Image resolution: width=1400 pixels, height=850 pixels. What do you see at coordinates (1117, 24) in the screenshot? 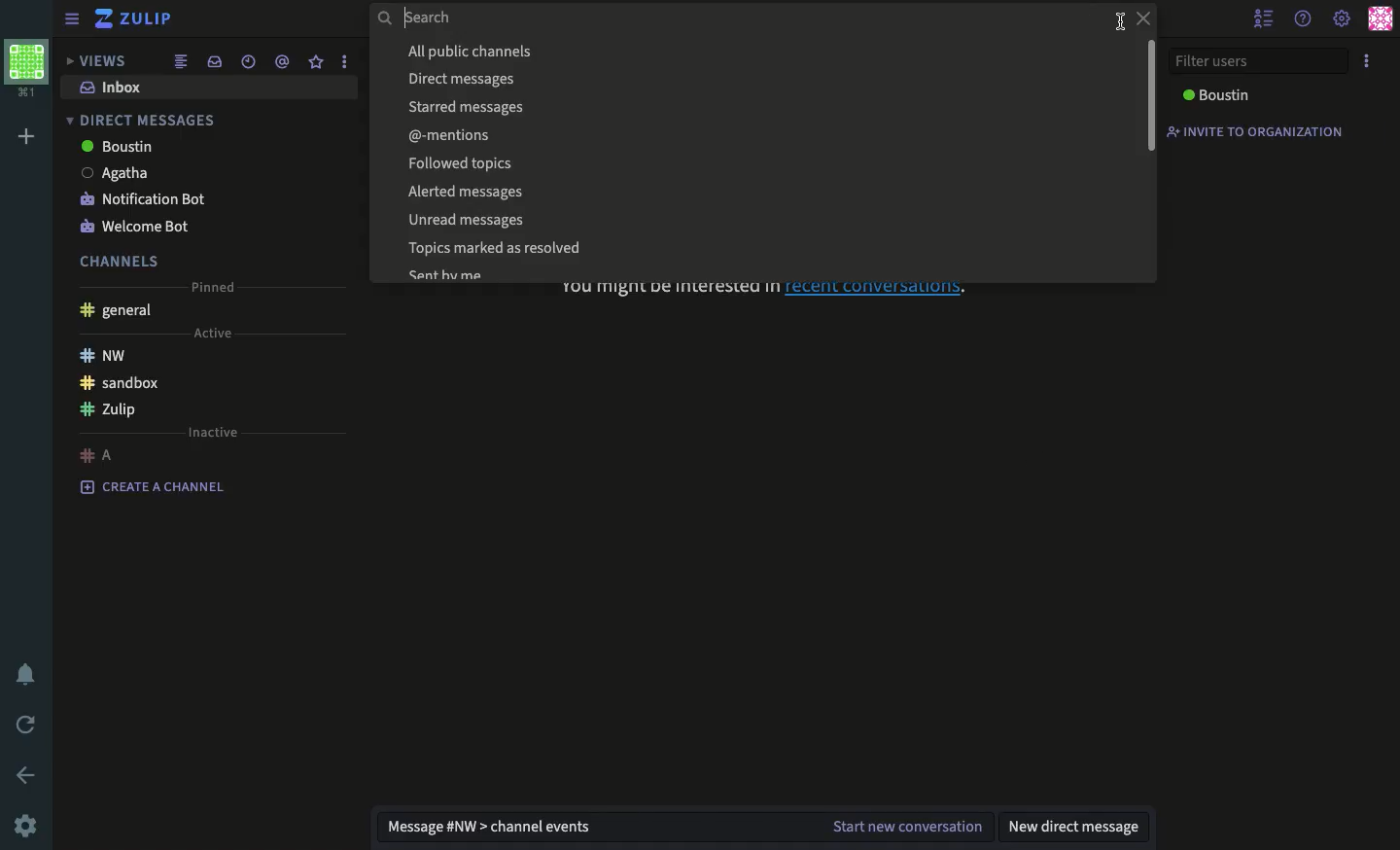
I see `cursor` at bounding box center [1117, 24].